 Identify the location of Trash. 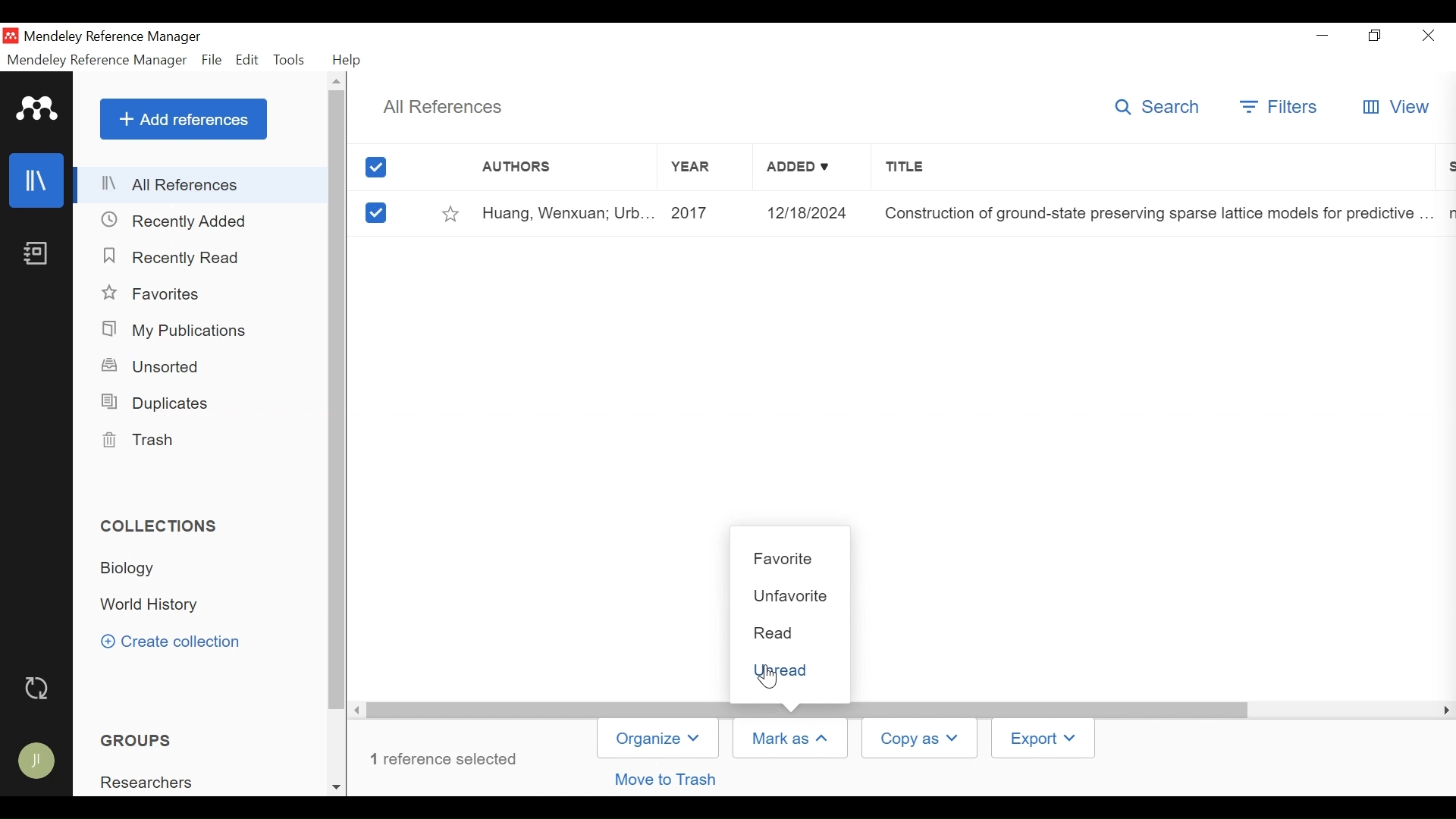
(139, 440).